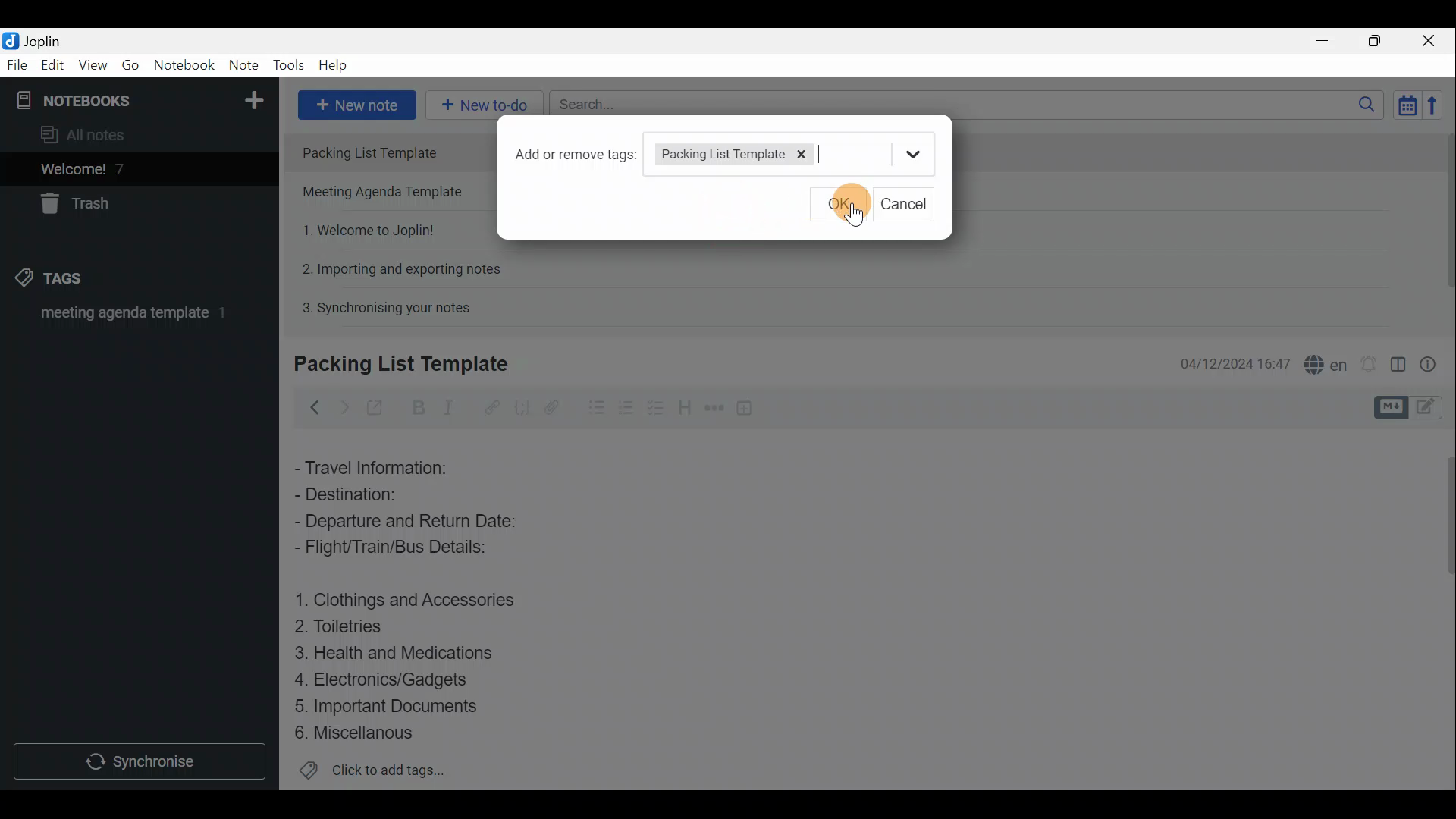 The height and width of the screenshot is (819, 1456). I want to click on Travel Information:, so click(383, 466).